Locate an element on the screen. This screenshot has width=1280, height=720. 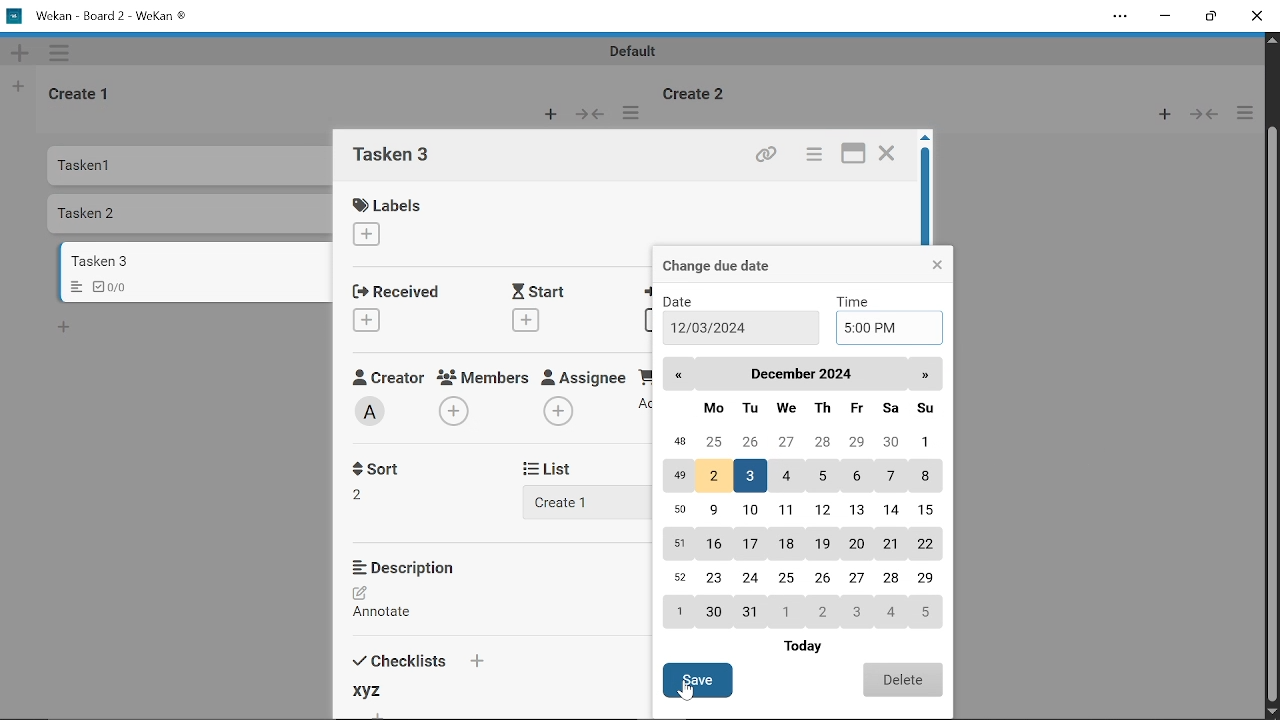
Create 2 is located at coordinates (700, 92).